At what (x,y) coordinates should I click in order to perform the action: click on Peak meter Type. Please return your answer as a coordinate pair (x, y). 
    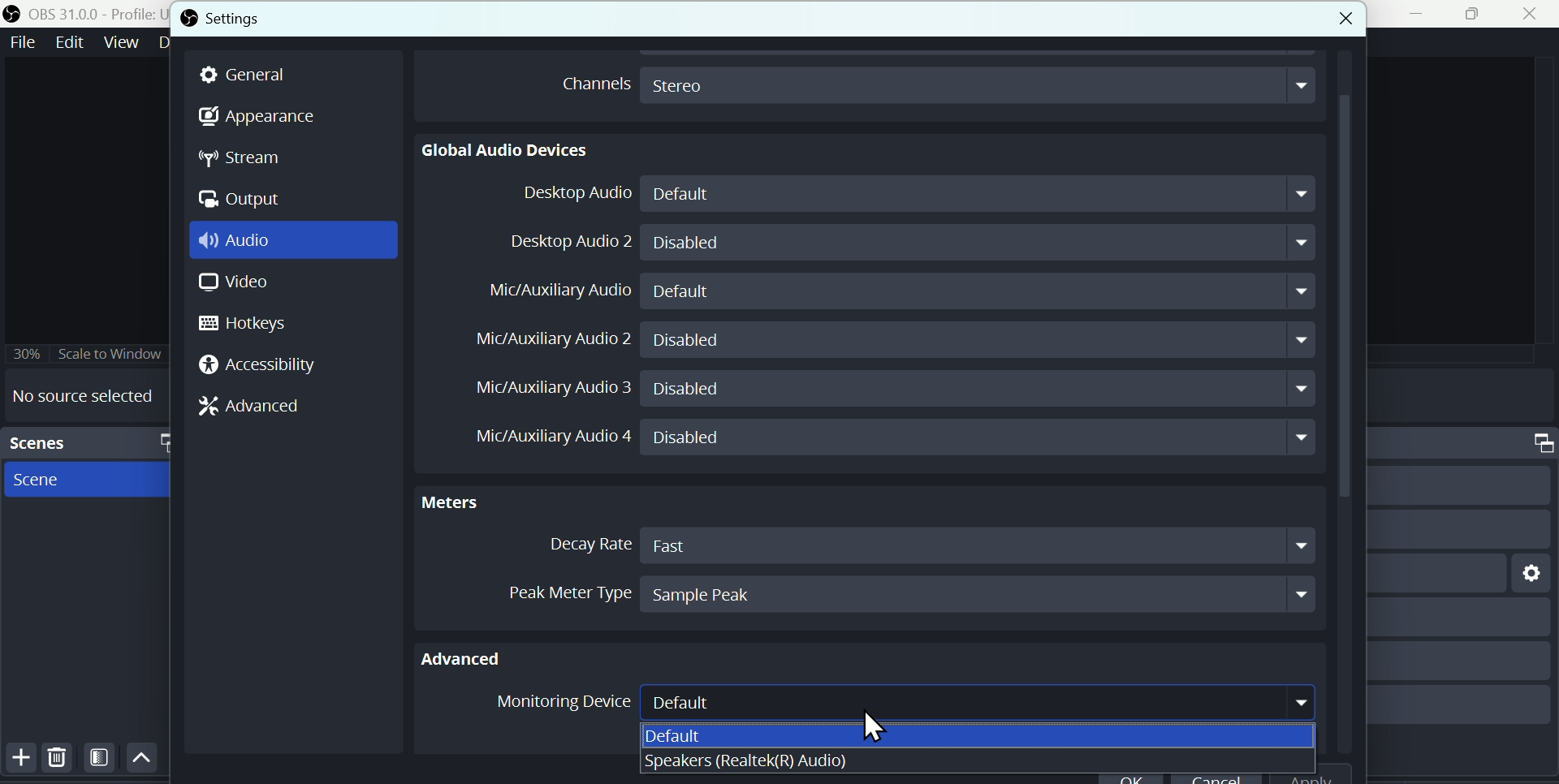
    Looking at the image, I should click on (551, 590).